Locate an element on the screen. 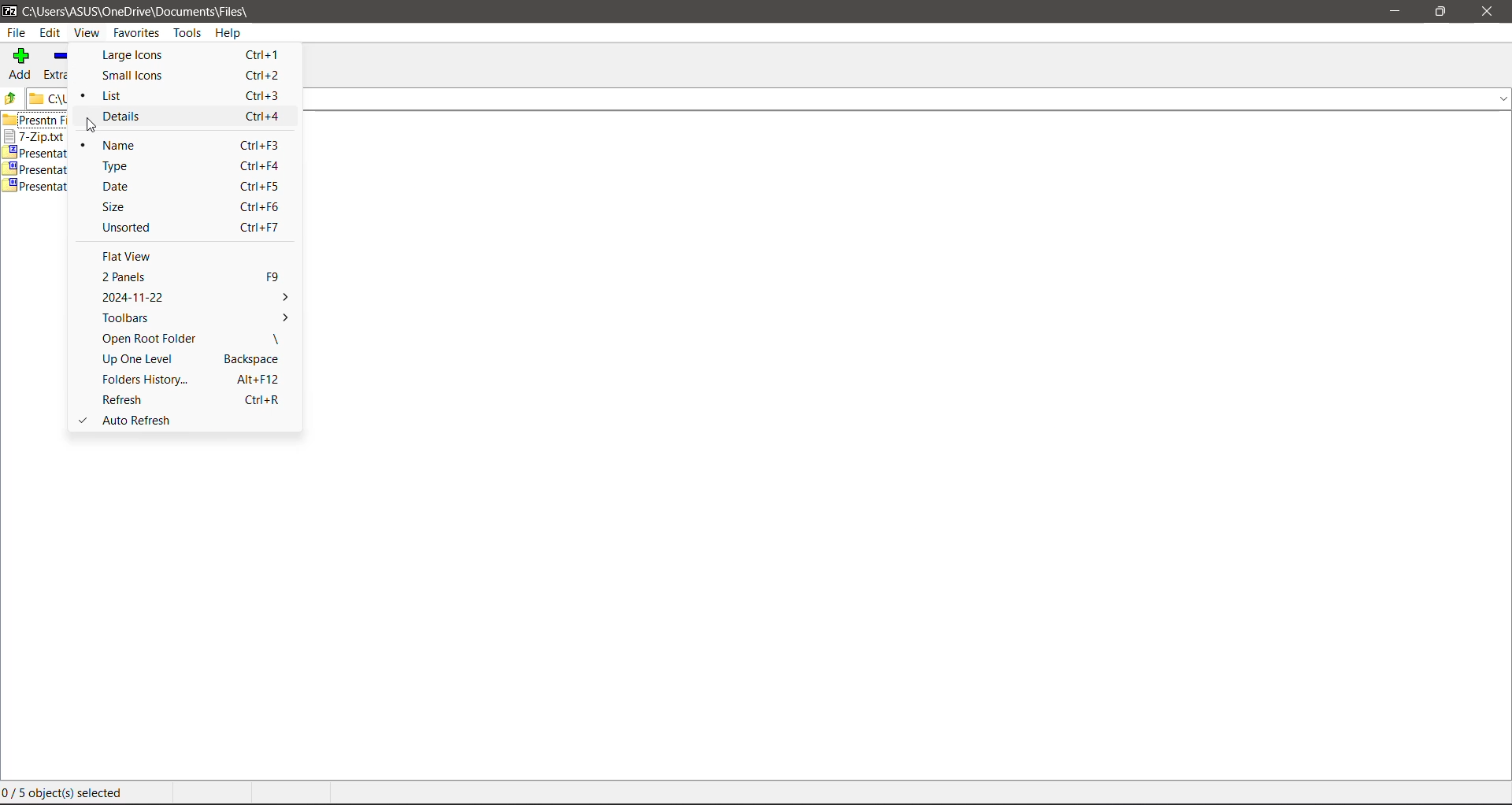  File is located at coordinates (17, 35).